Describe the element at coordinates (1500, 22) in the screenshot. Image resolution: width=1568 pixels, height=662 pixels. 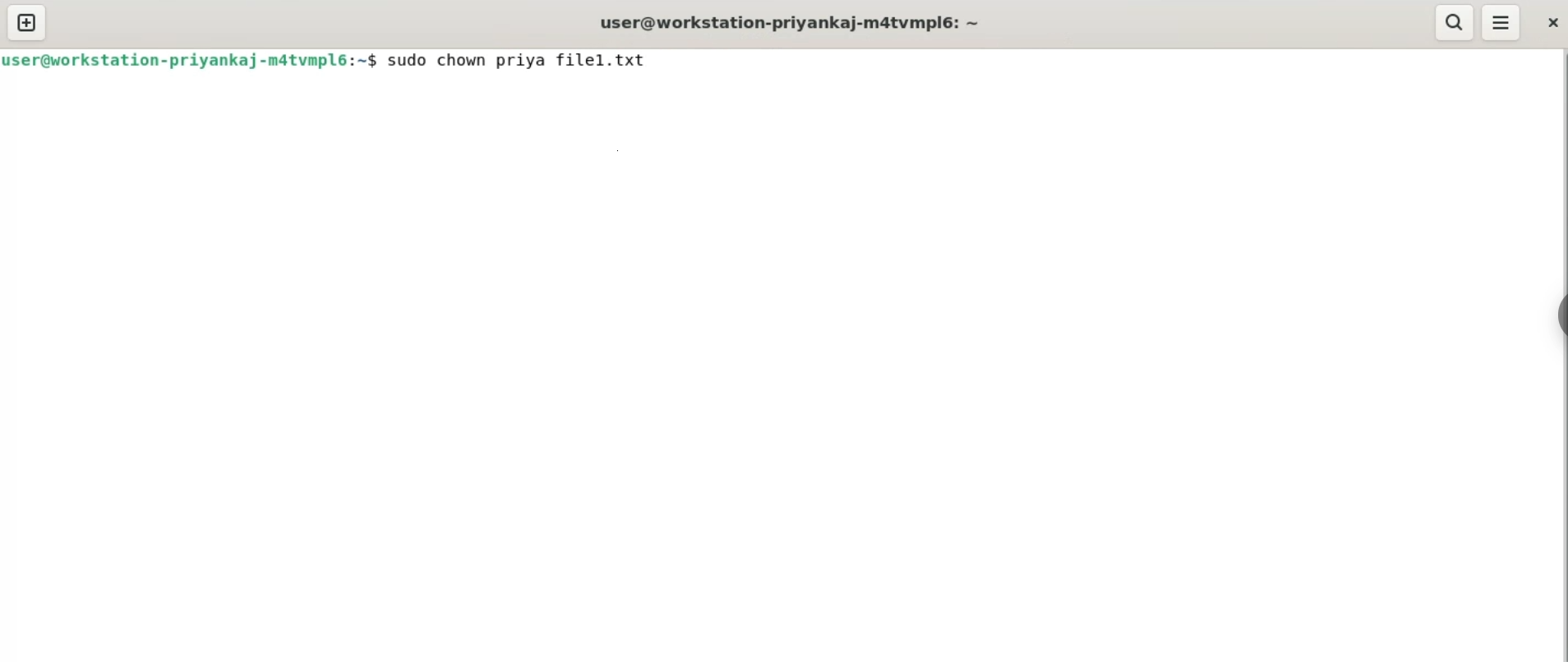
I see `menu` at that location.